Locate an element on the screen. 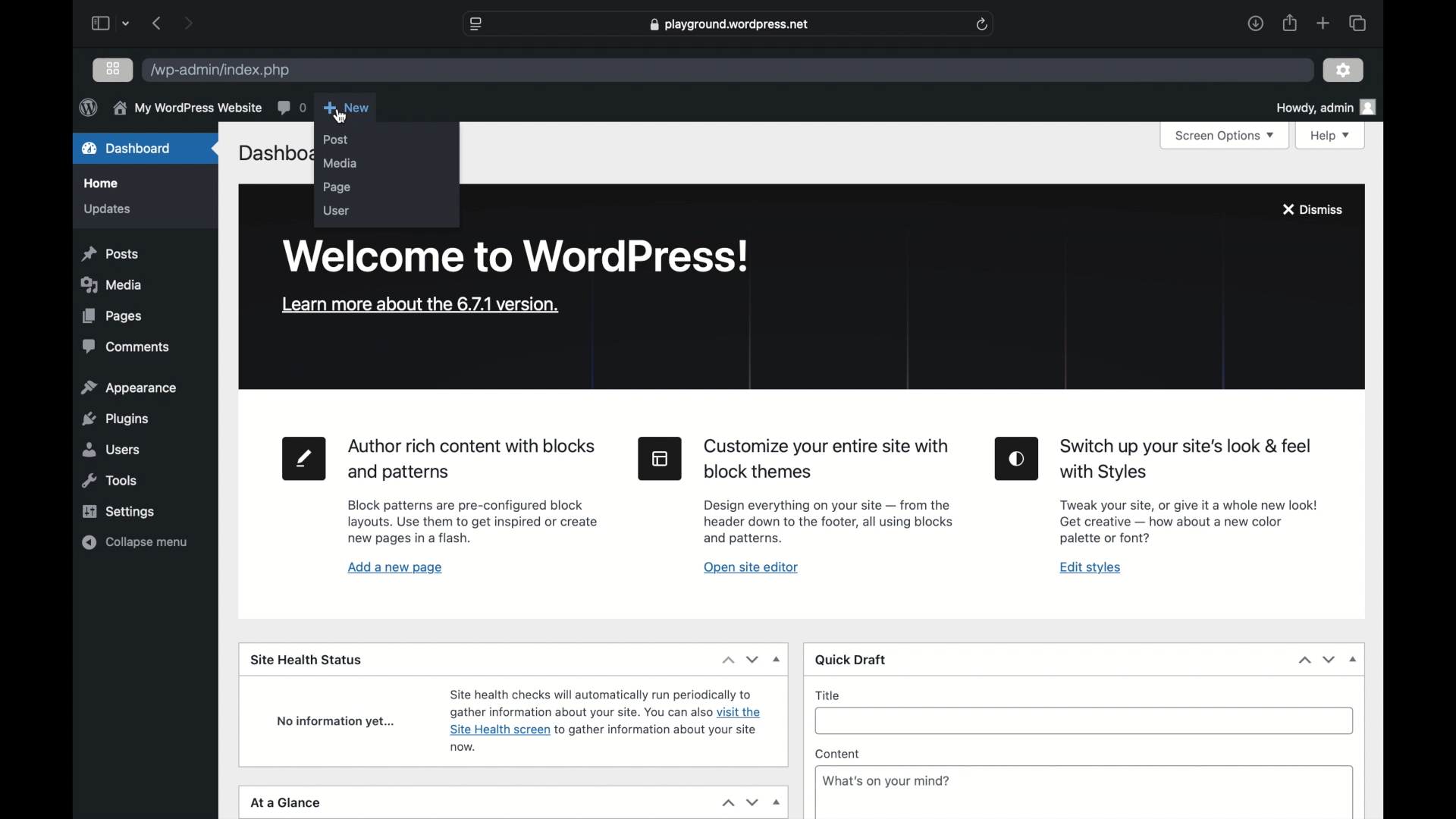  page is located at coordinates (340, 188).